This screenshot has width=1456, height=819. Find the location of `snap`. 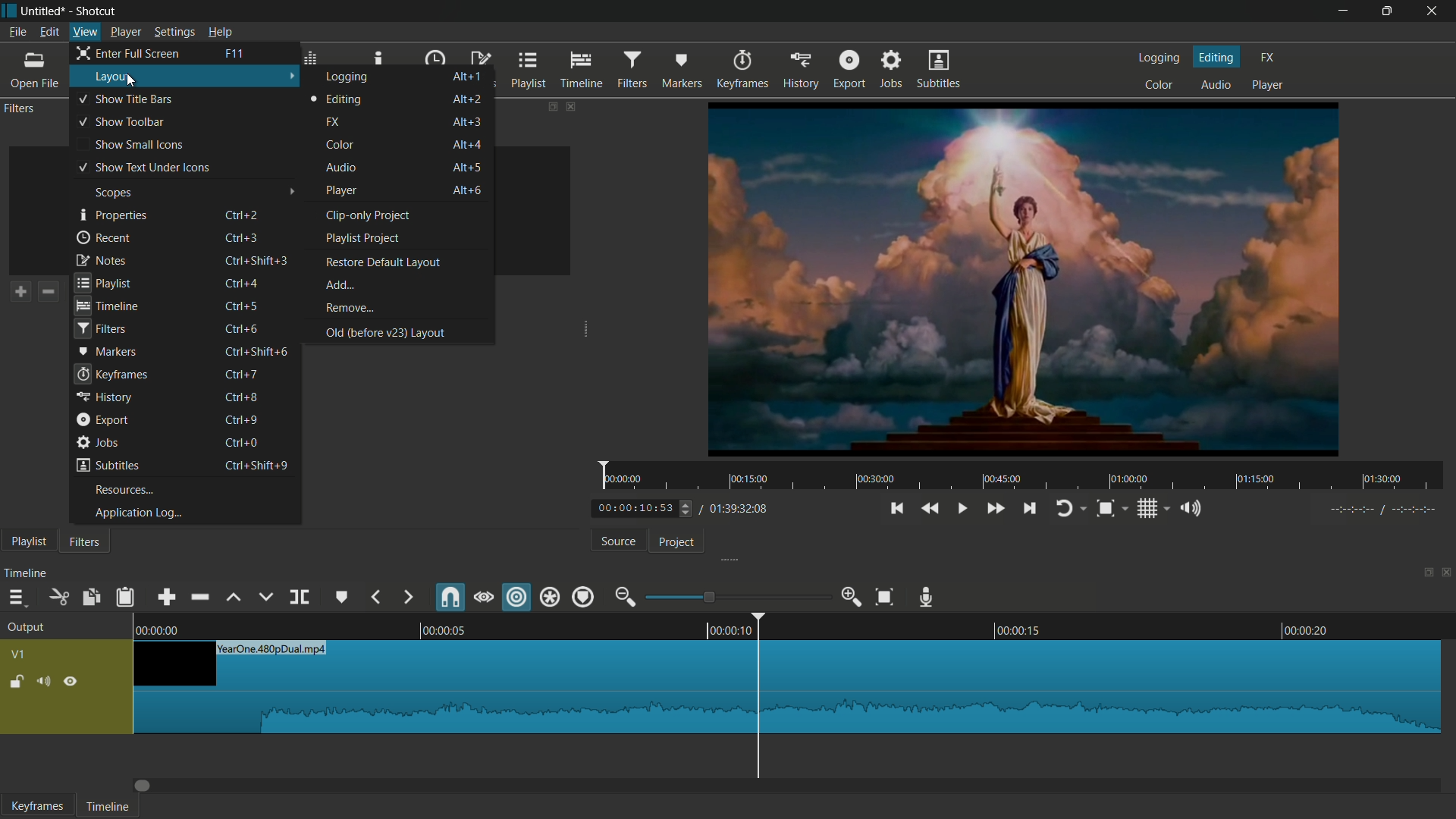

snap is located at coordinates (449, 598).